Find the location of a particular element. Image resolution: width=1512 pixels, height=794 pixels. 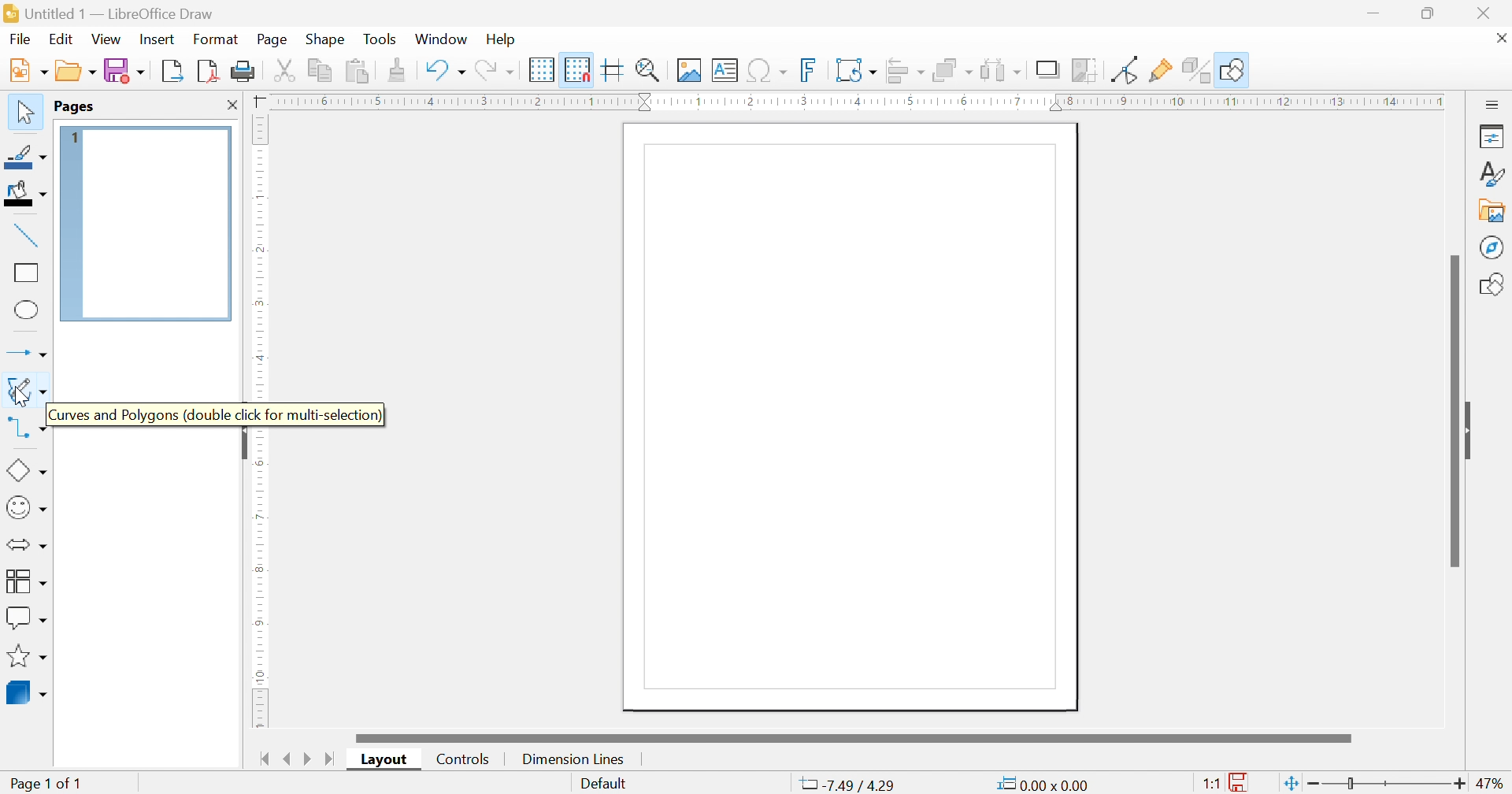

page 1 of 1 is located at coordinates (43, 783).